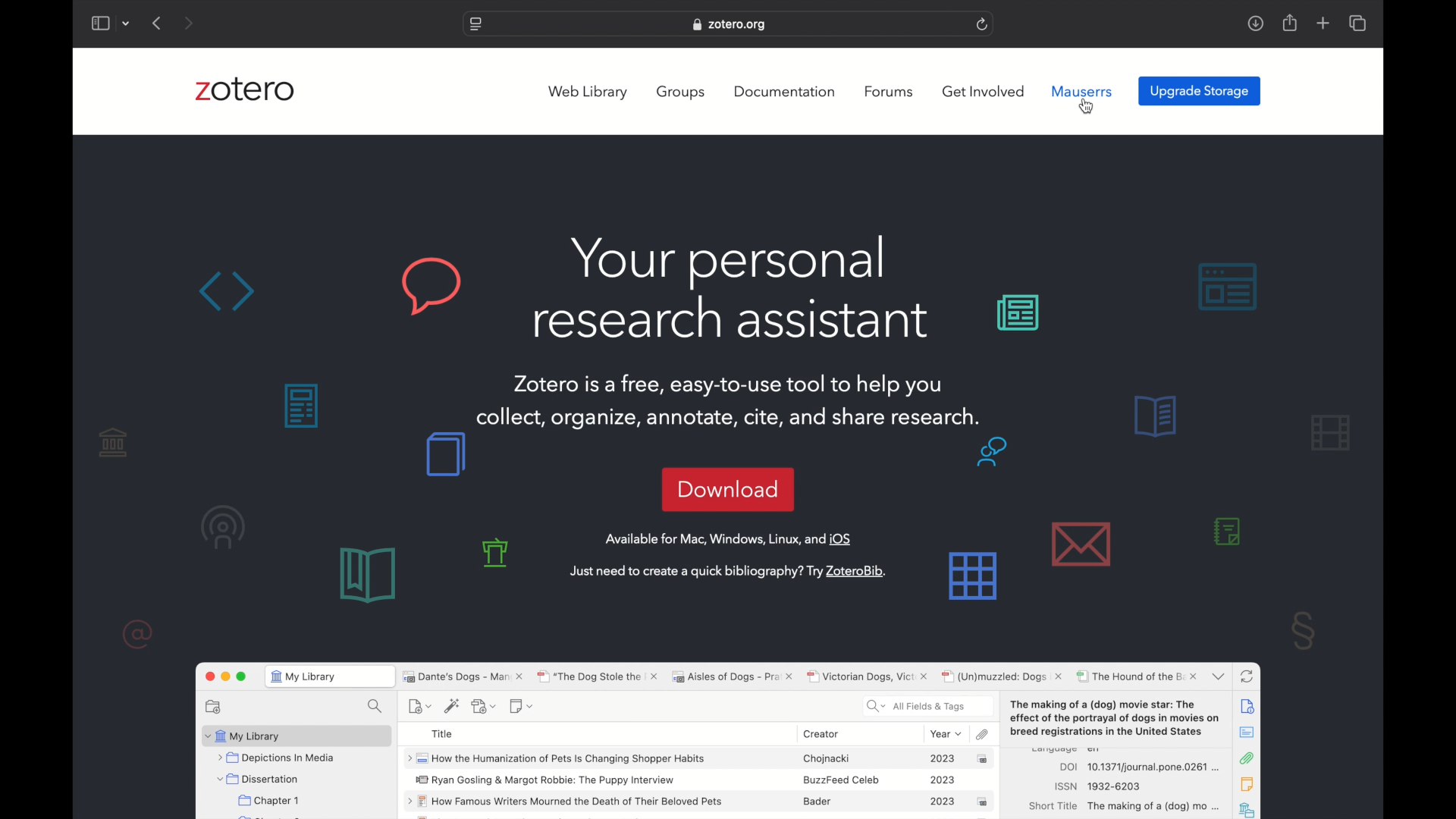 This screenshot has width=1456, height=819. Describe the element at coordinates (244, 91) in the screenshot. I see `zotero` at that location.